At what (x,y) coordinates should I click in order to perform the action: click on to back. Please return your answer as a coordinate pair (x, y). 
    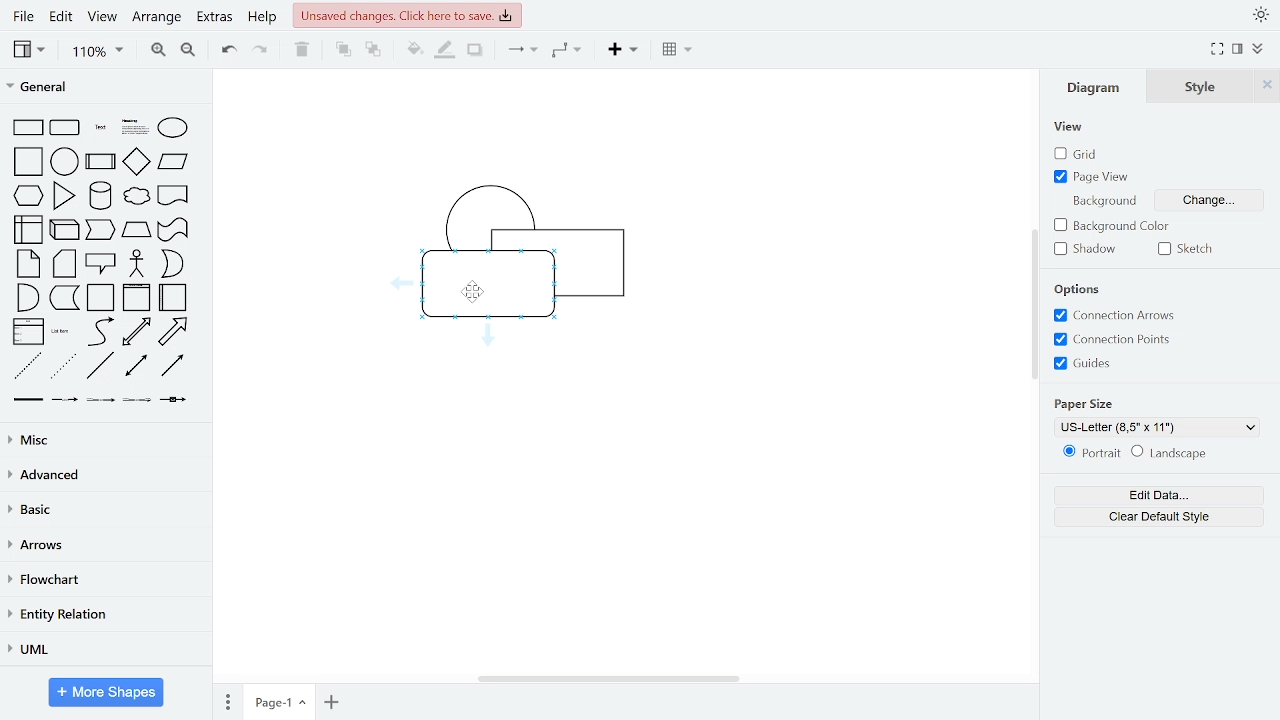
    Looking at the image, I should click on (370, 51).